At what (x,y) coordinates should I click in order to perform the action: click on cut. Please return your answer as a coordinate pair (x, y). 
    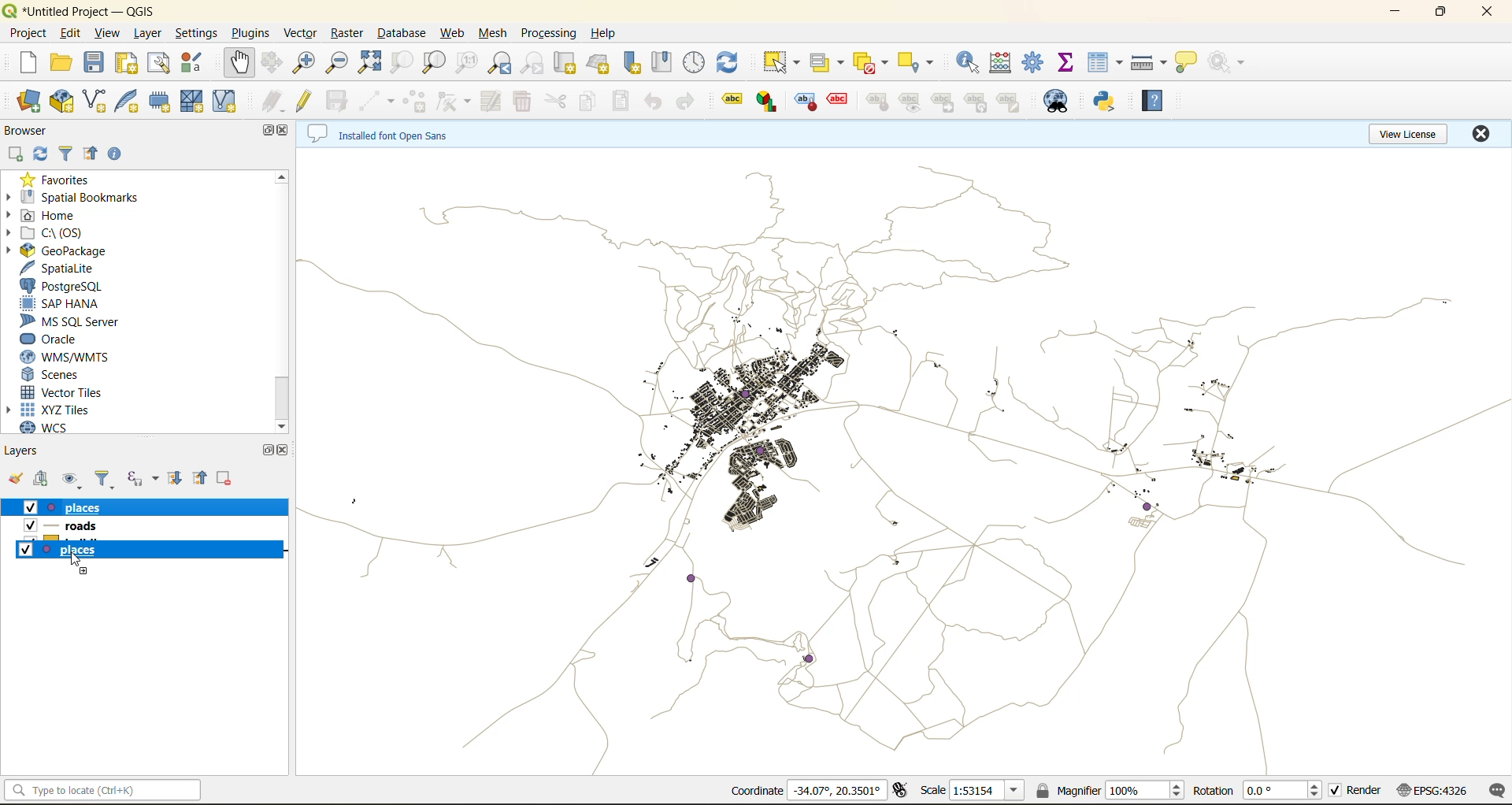
    Looking at the image, I should click on (558, 102).